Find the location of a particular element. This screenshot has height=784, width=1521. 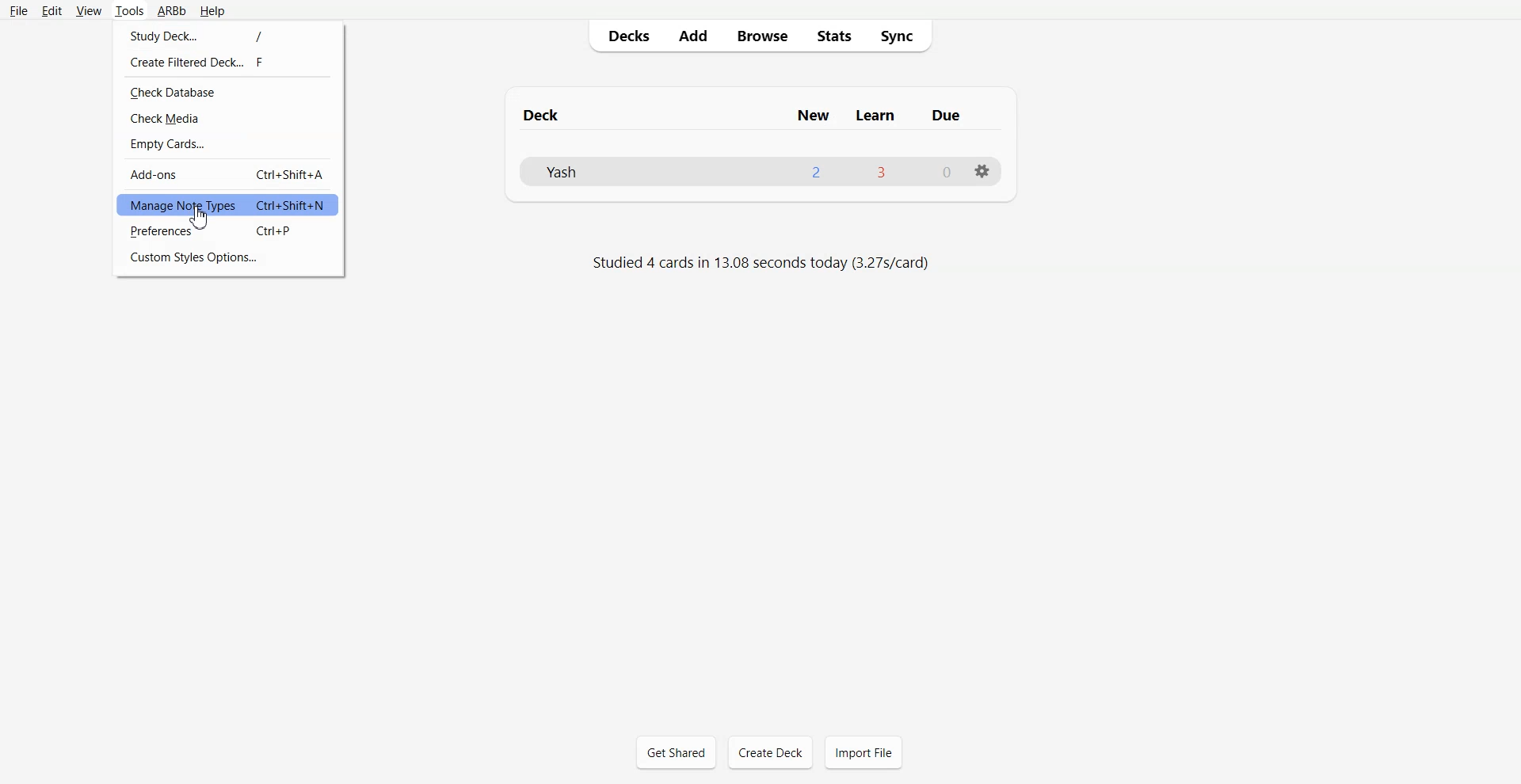

Add-ons is located at coordinates (229, 173).